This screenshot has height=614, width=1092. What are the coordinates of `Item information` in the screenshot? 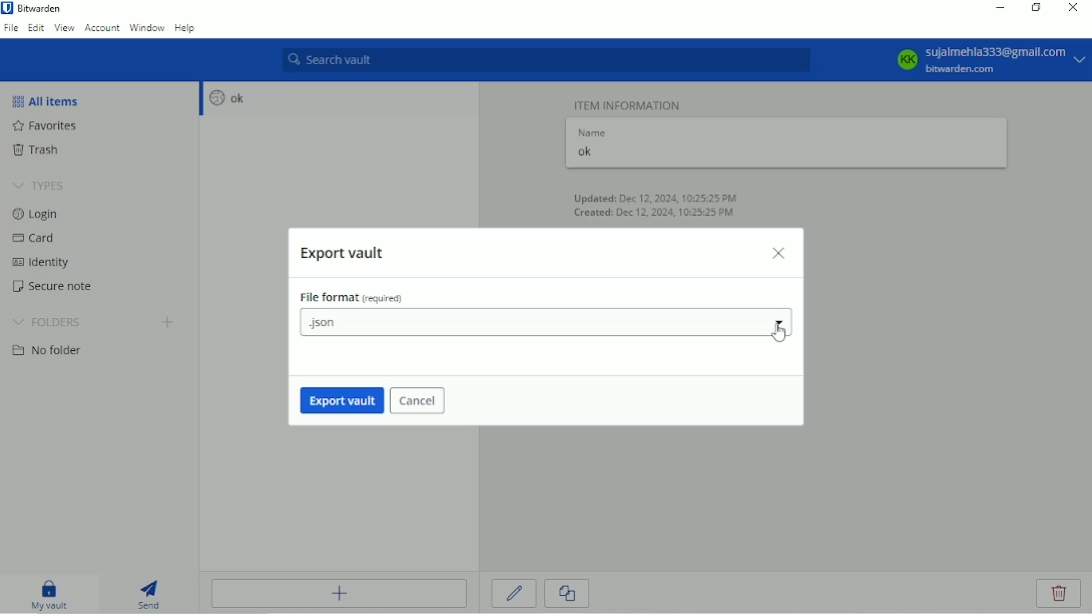 It's located at (629, 103).